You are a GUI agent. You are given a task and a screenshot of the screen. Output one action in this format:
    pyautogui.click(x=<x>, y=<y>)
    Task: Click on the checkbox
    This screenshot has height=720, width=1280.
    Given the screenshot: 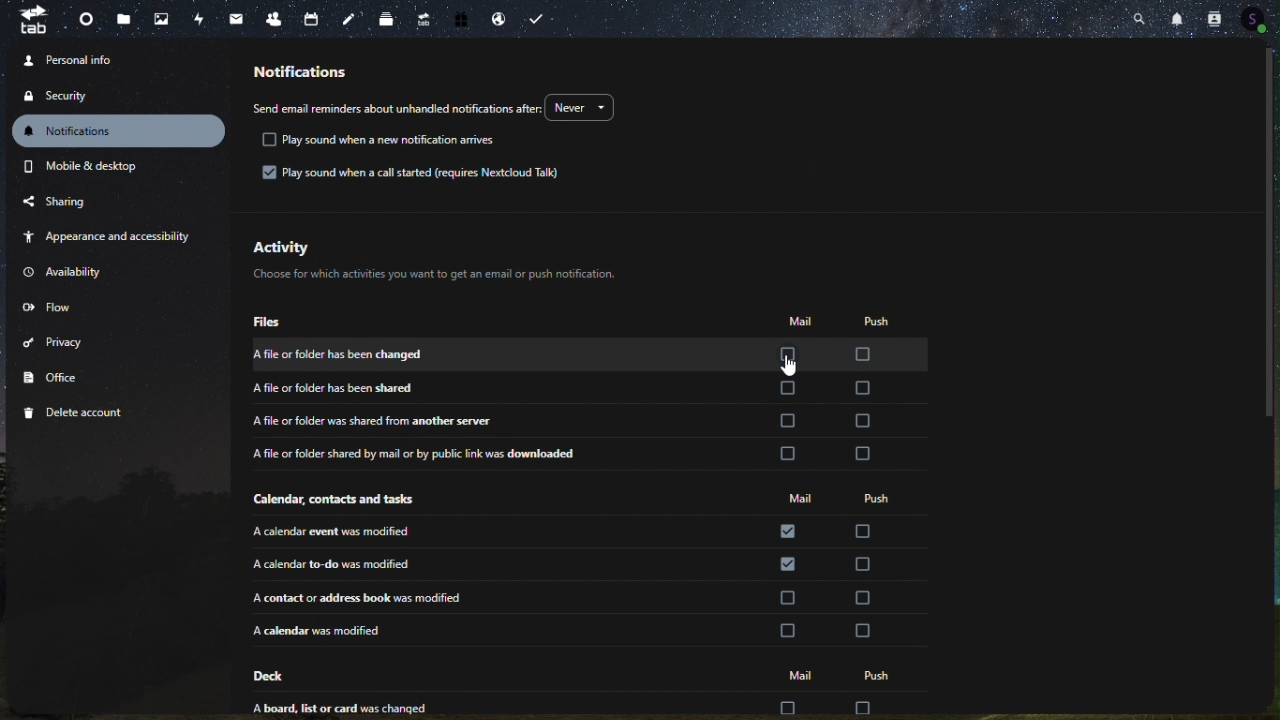 What is the action you would take?
    pyautogui.click(x=267, y=171)
    